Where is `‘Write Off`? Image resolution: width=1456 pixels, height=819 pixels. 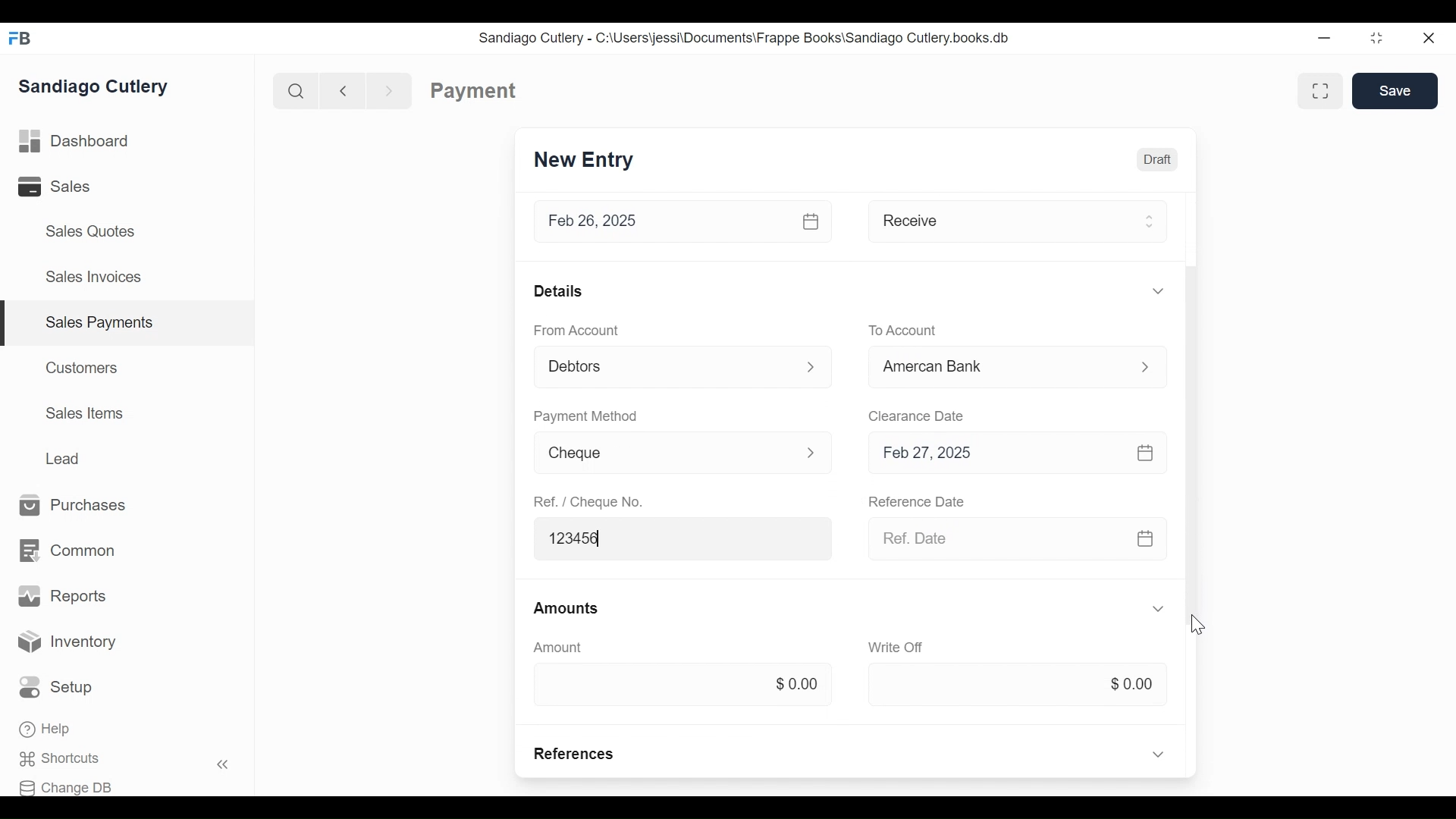
‘Write Off is located at coordinates (898, 647).